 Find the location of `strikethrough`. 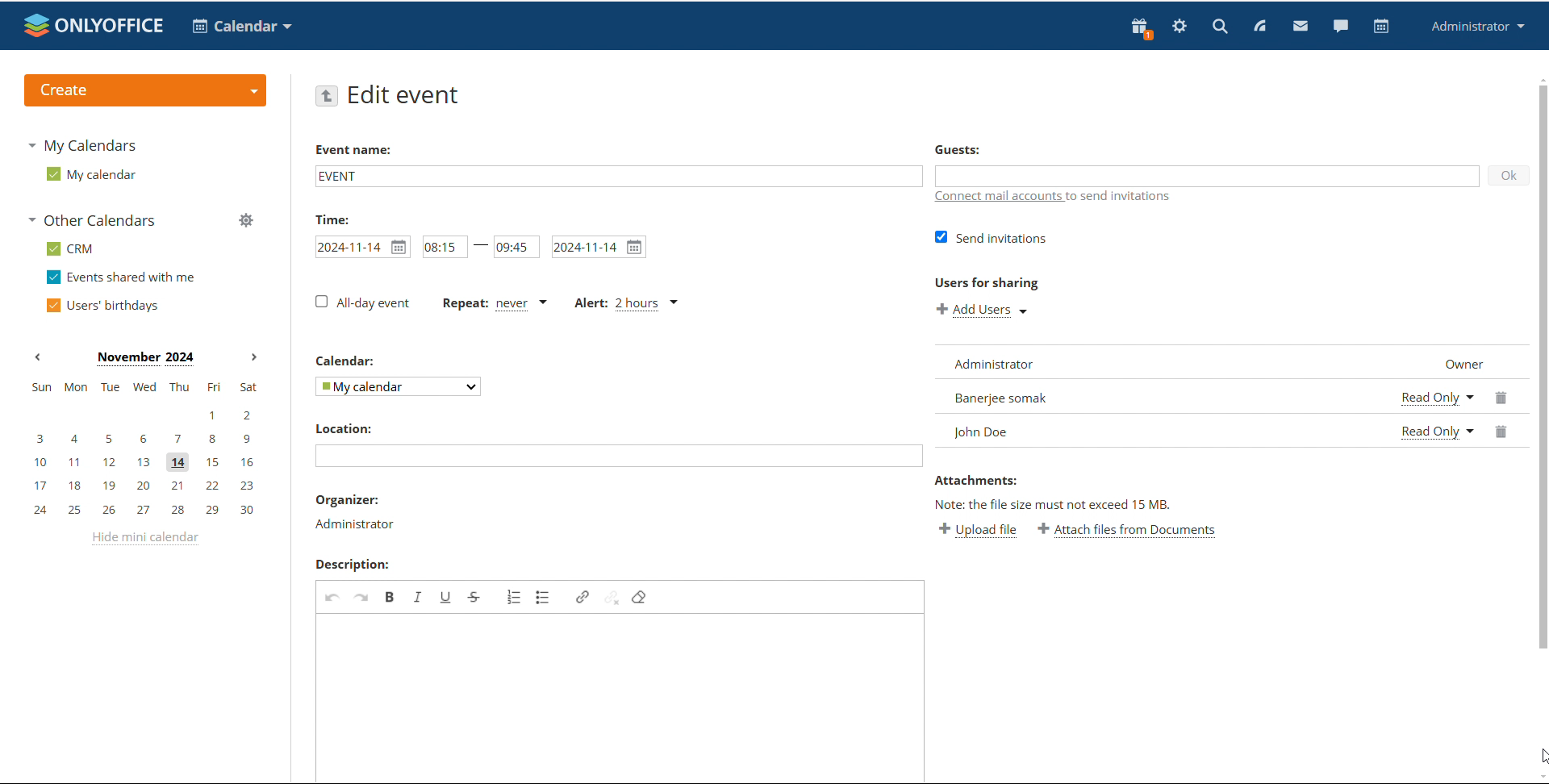

strikethrough is located at coordinates (475, 596).